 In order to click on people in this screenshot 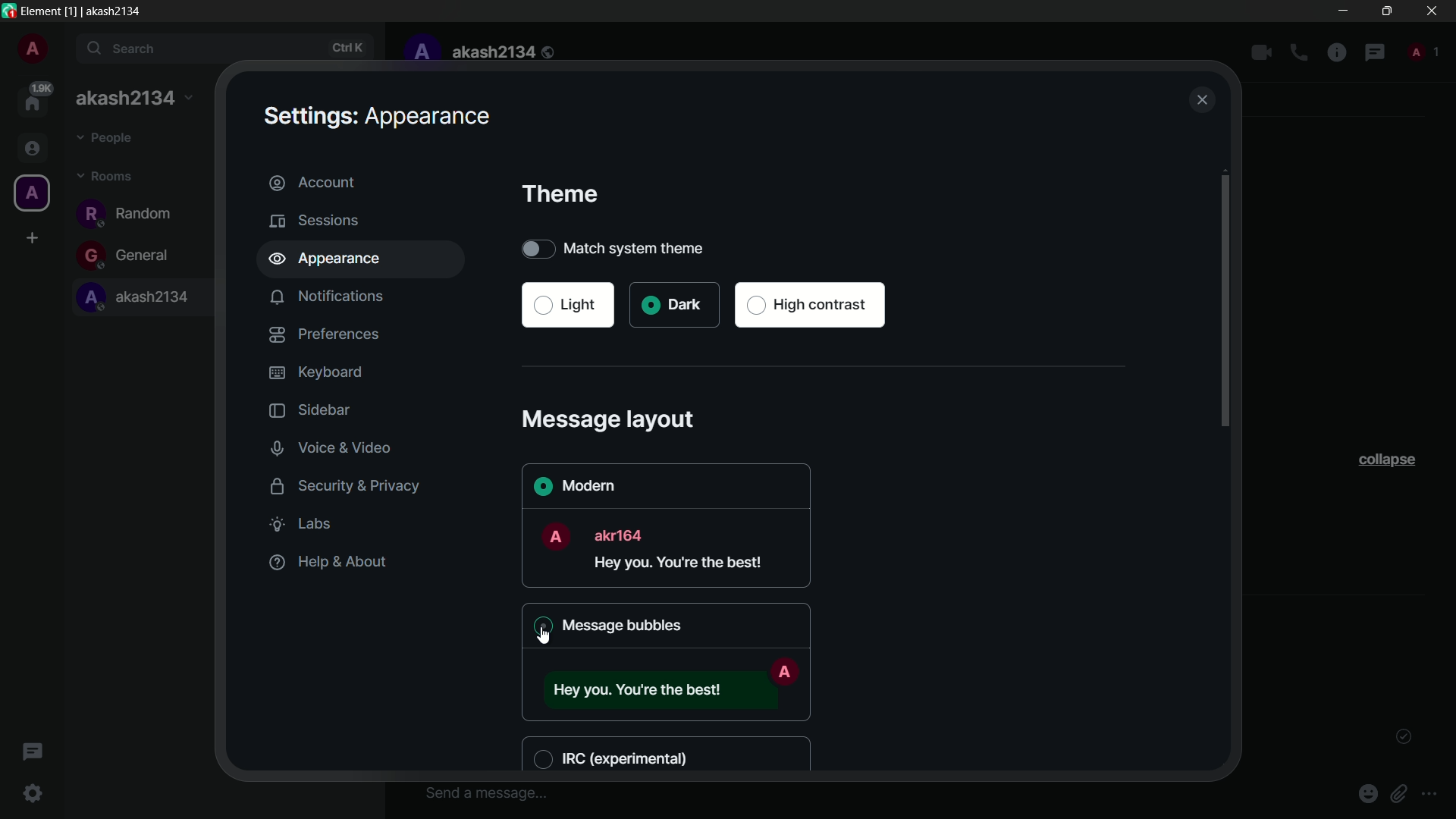, I will do `click(1422, 50)`.